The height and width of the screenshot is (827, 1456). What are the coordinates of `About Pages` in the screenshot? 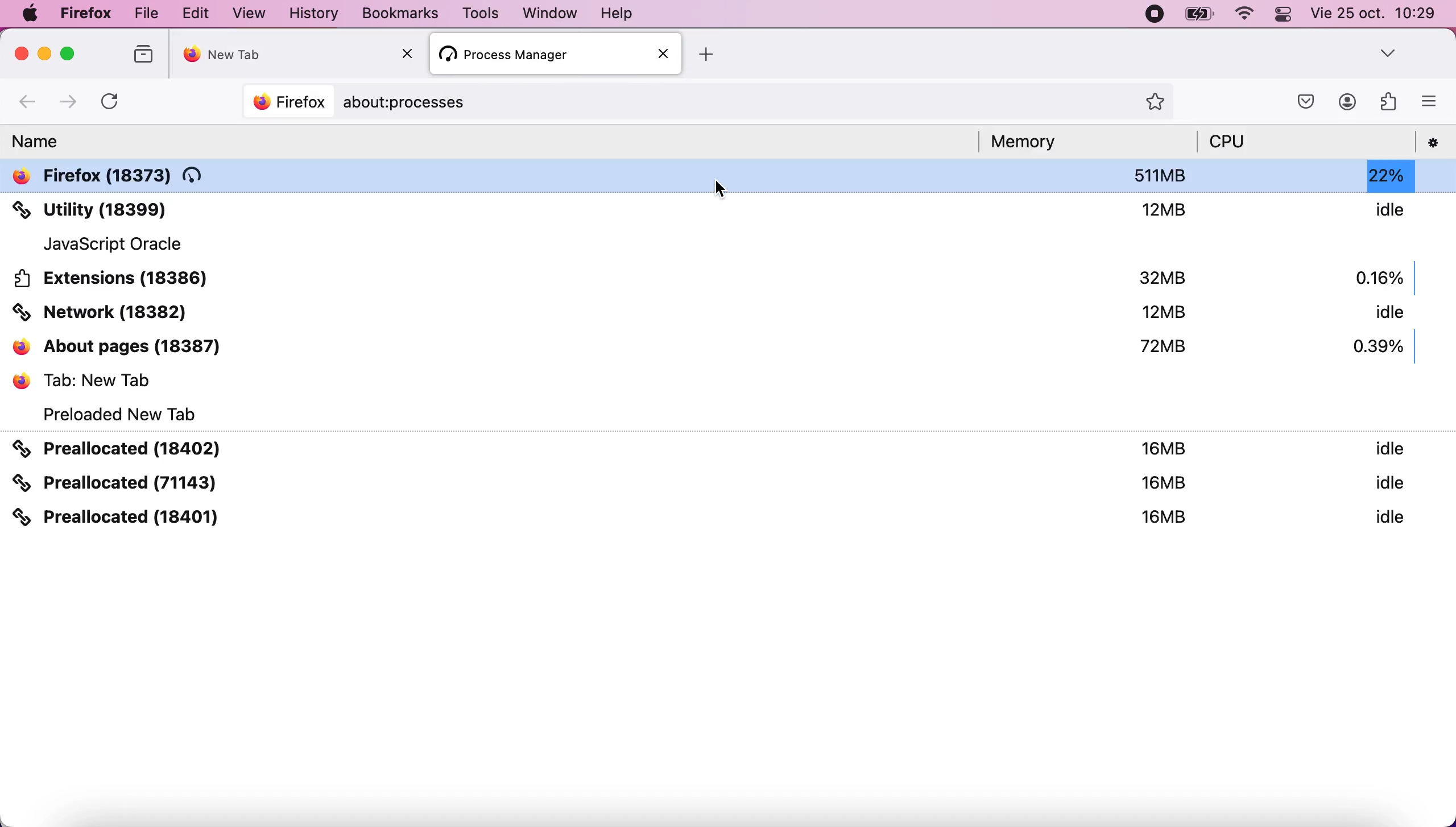 It's located at (729, 346).